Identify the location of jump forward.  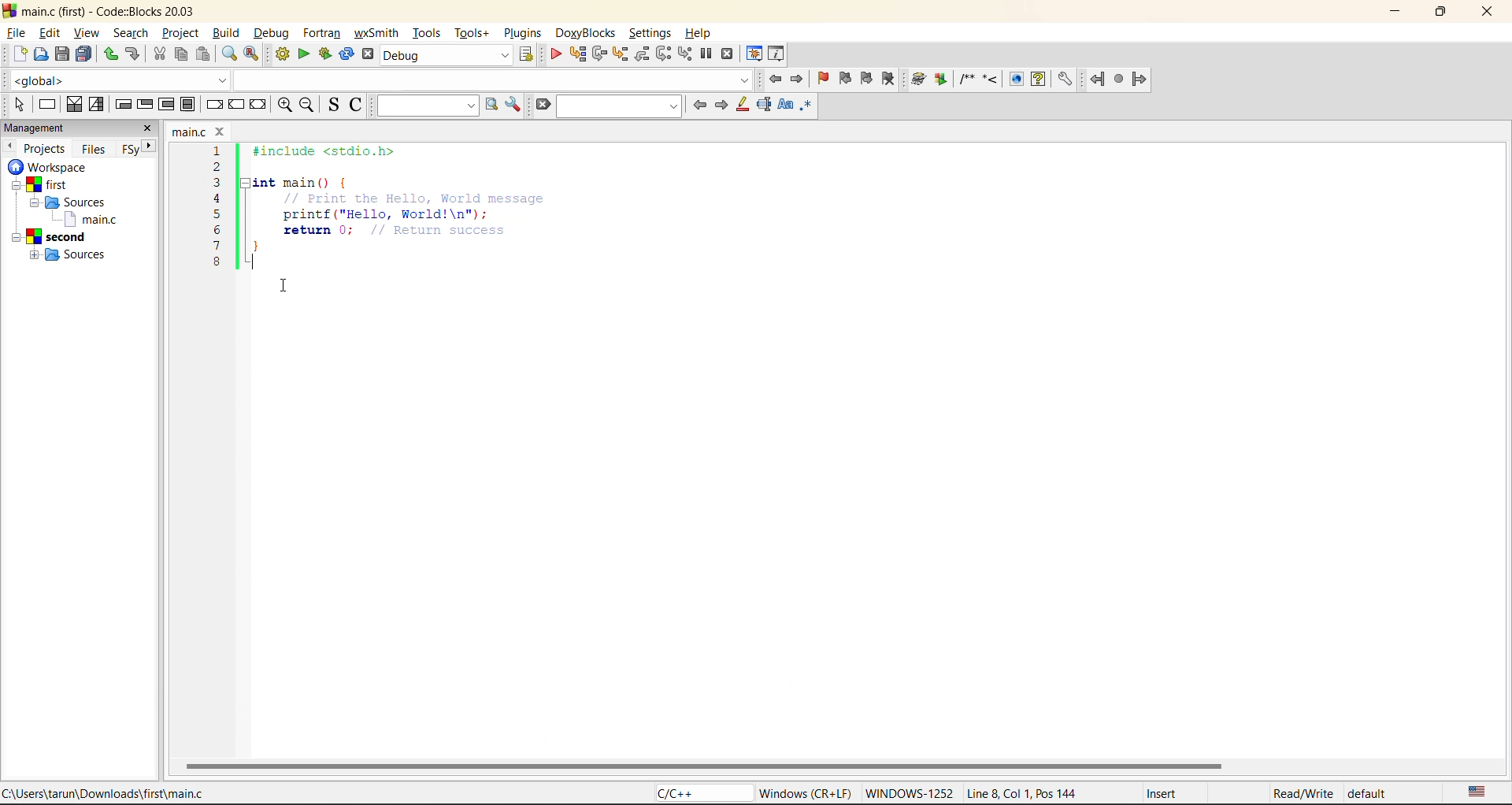
(800, 78).